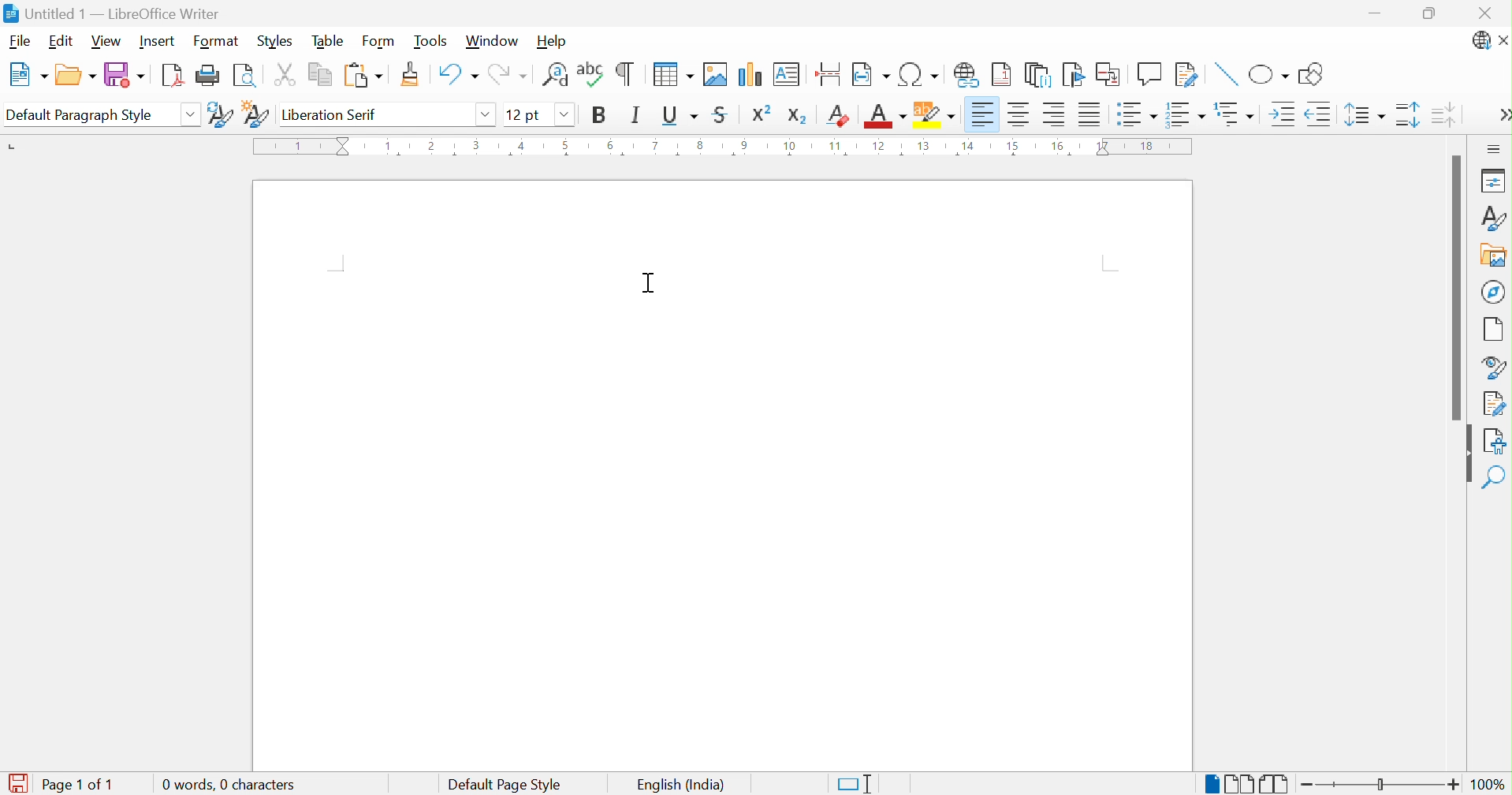 The height and width of the screenshot is (795, 1512). I want to click on Insert chart, so click(750, 75).